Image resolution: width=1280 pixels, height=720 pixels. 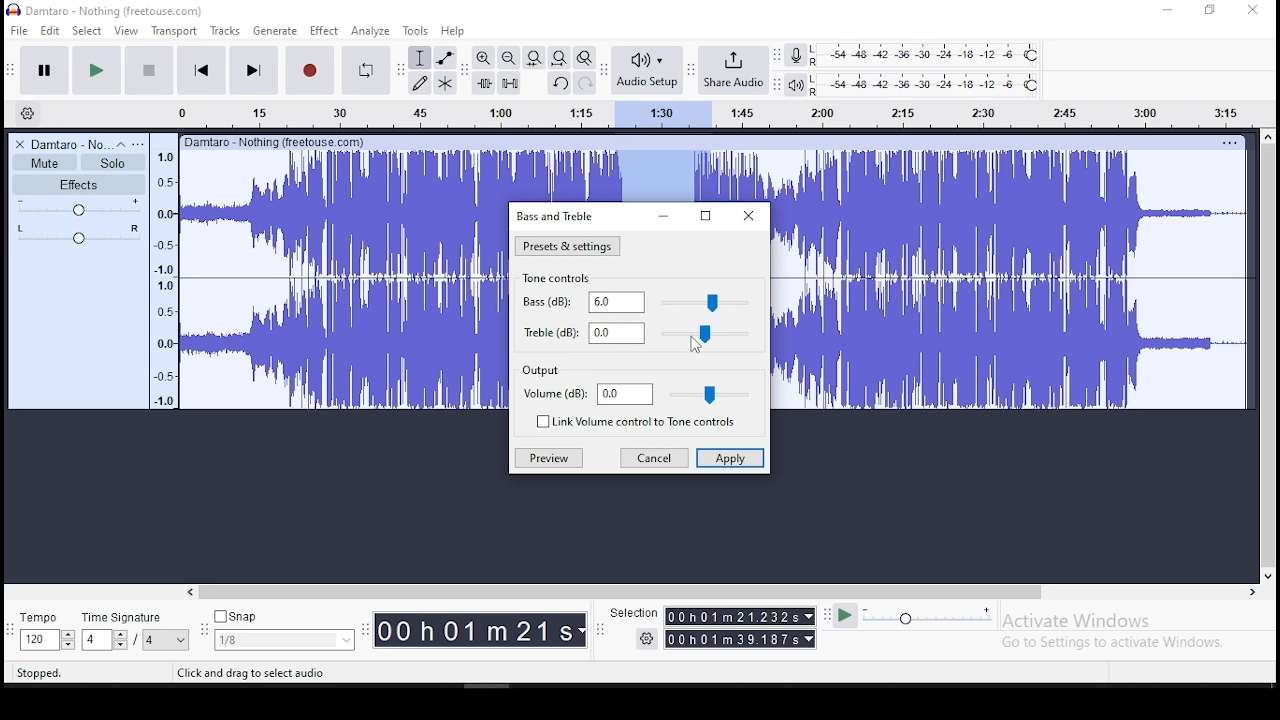 I want to click on envelope tool, so click(x=444, y=57).